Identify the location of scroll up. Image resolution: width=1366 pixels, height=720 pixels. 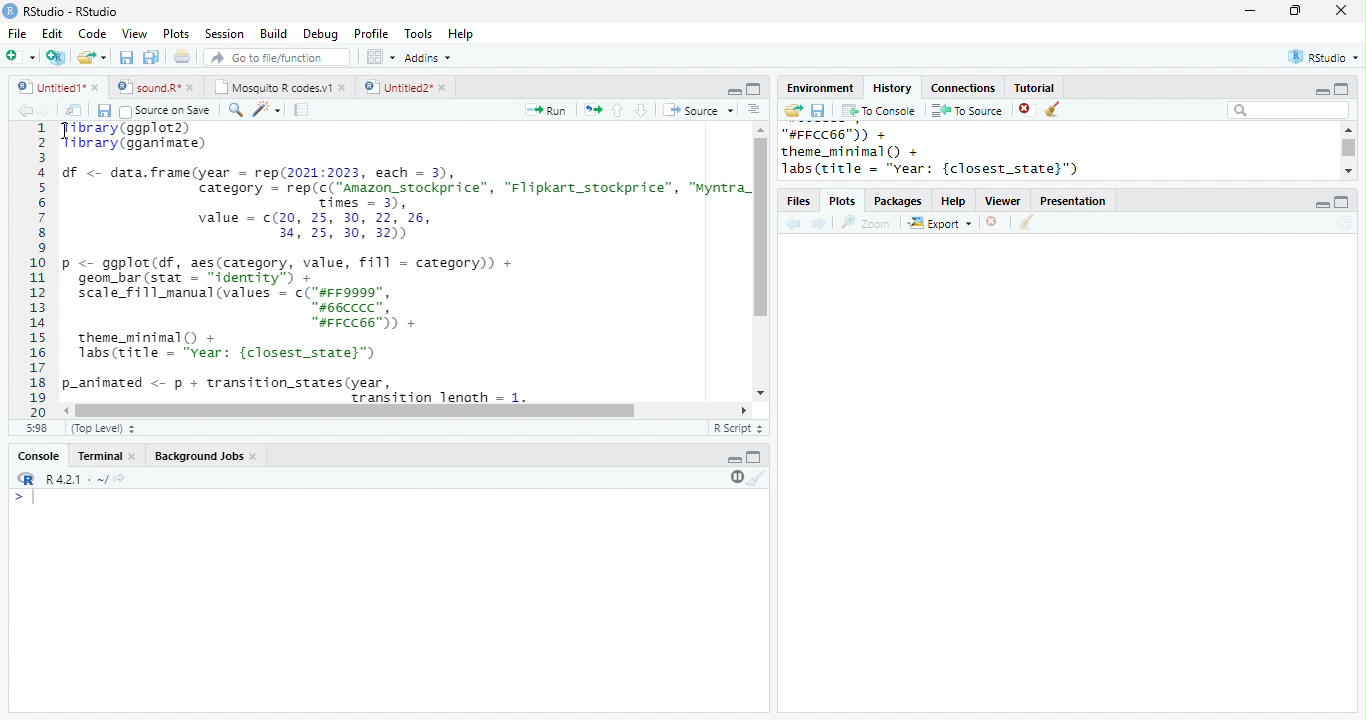
(1349, 129).